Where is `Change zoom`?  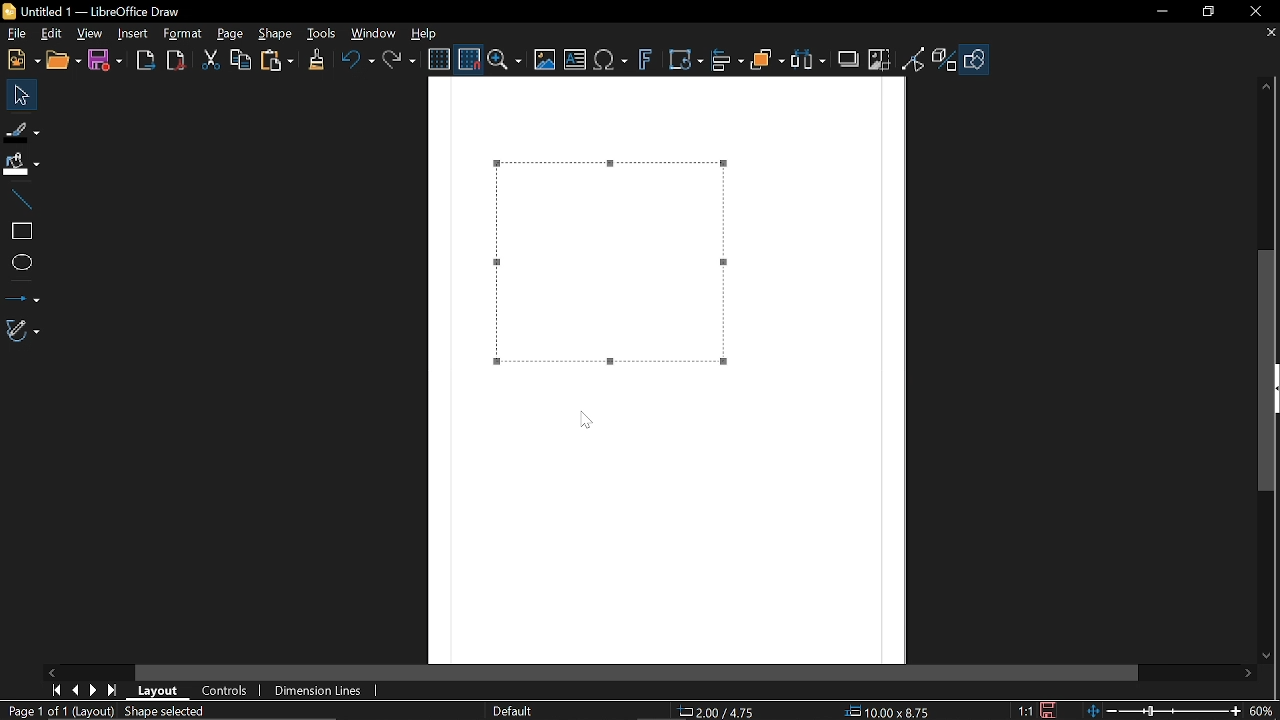
Change zoom is located at coordinates (1159, 711).